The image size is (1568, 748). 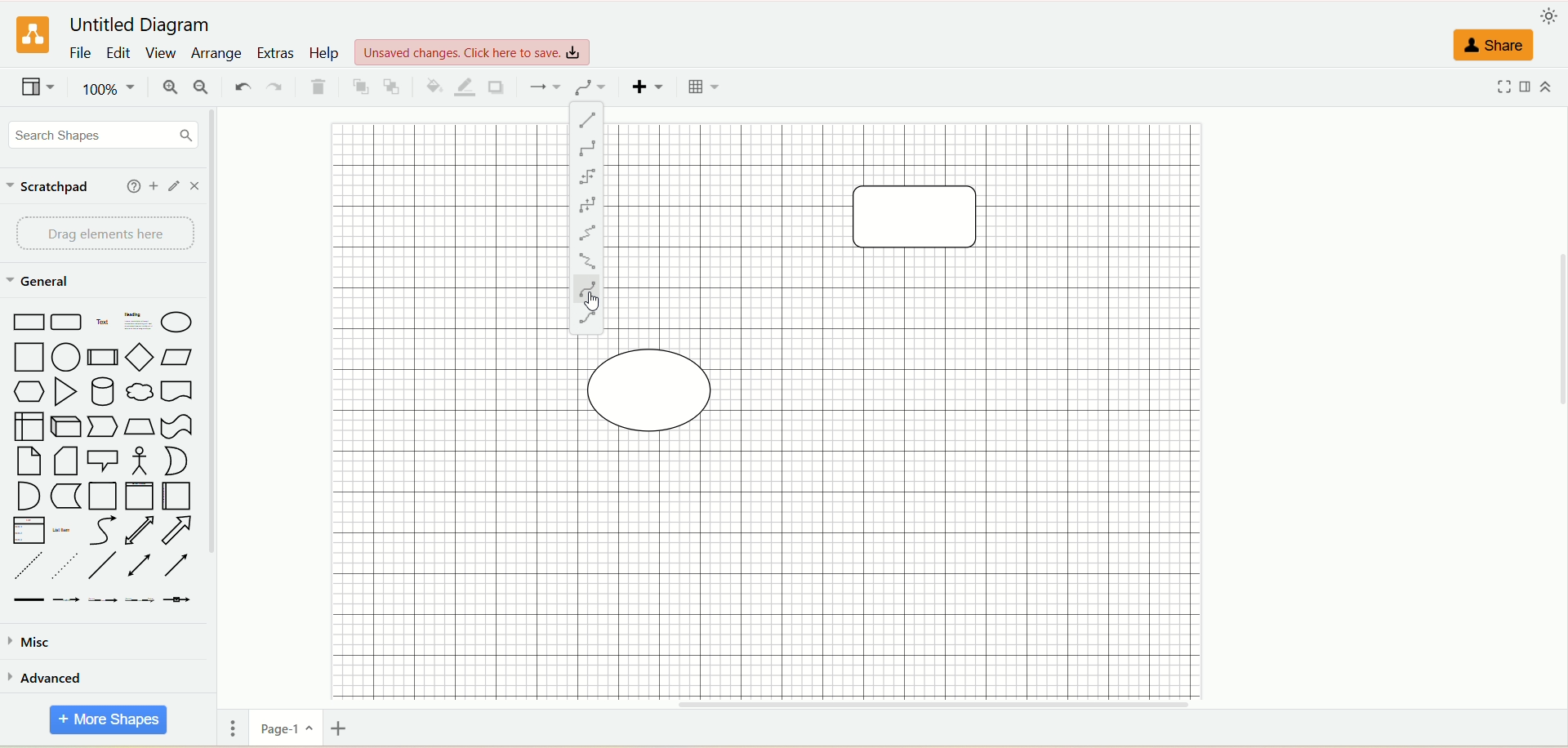 What do you see at coordinates (47, 185) in the screenshot?
I see `scratchpad` at bounding box center [47, 185].